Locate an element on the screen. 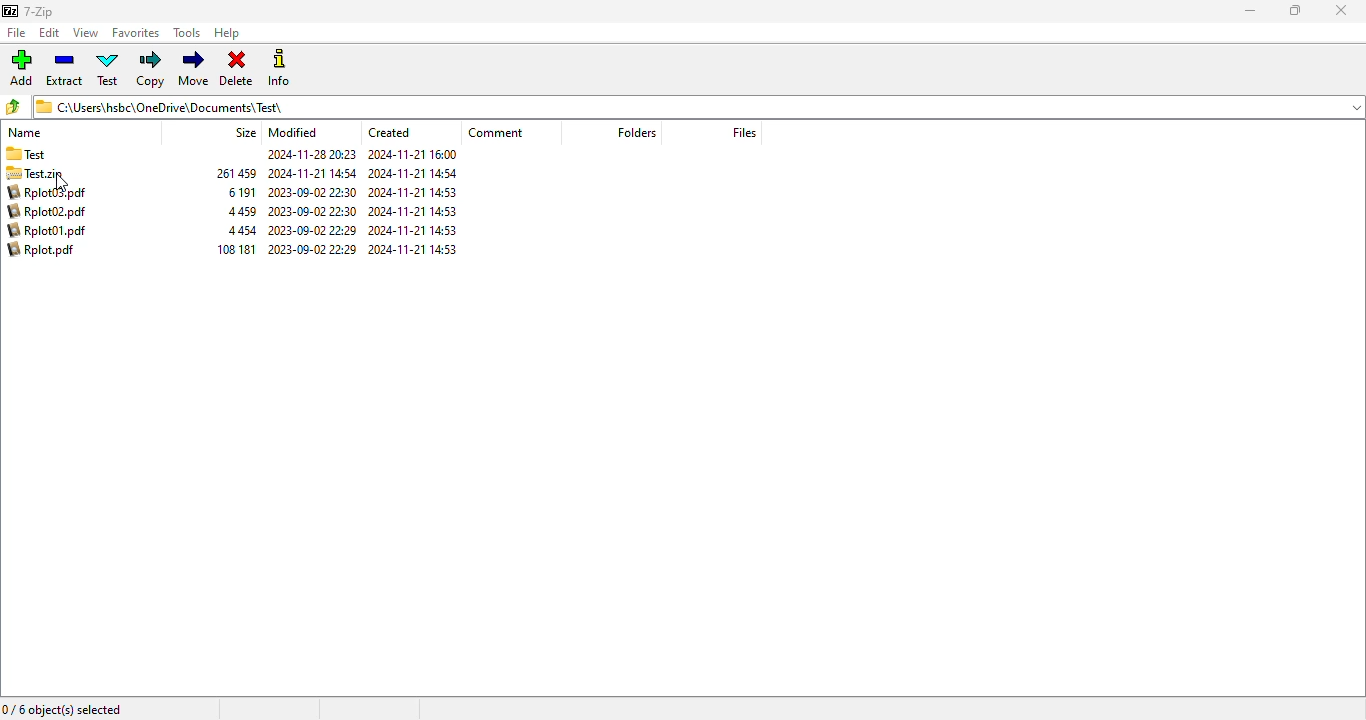  Rplot.pdf 108181 2023-09-02 22:29 2024-11-21 14:53 is located at coordinates (52, 252).